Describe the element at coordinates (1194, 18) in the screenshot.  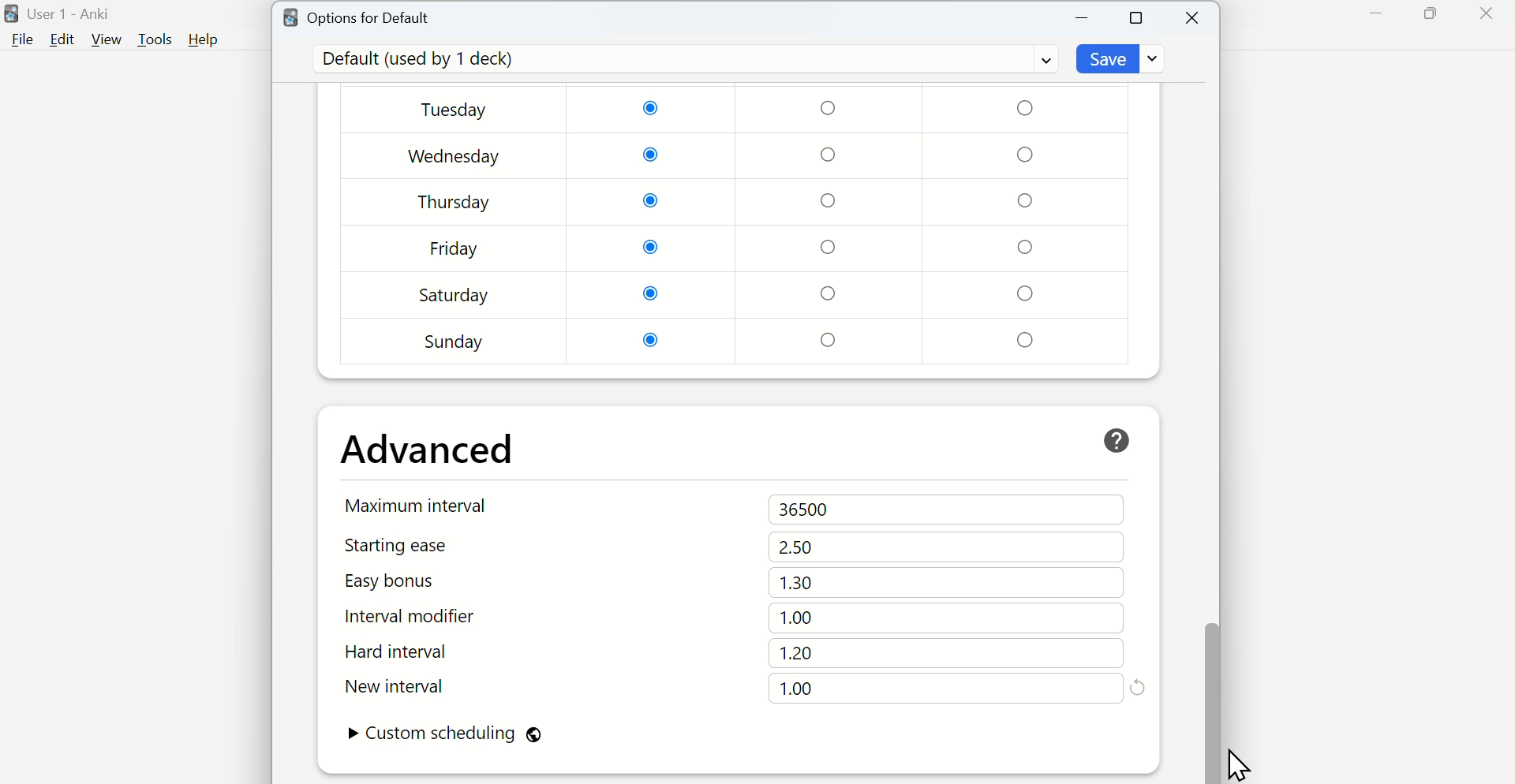
I see `Close` at that location.